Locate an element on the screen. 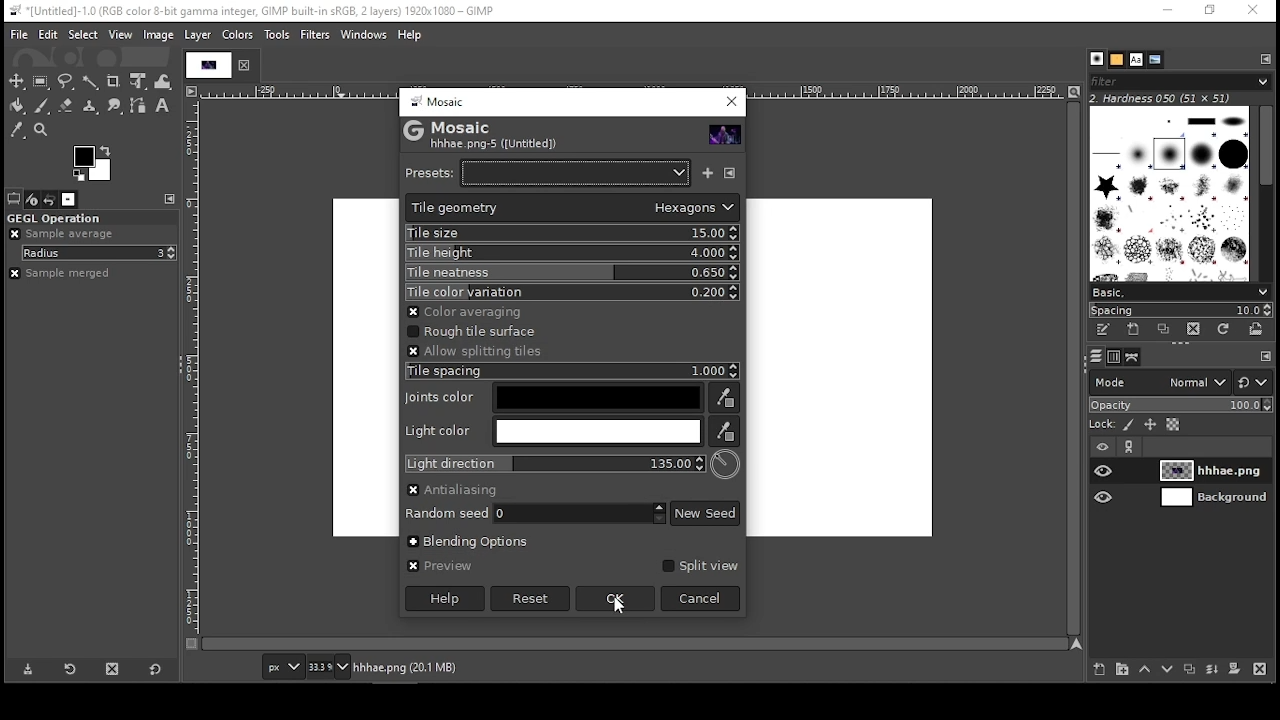 This screenshot has width=1280, height=720. lock alpha channel is located at coordinates (1174, 425).